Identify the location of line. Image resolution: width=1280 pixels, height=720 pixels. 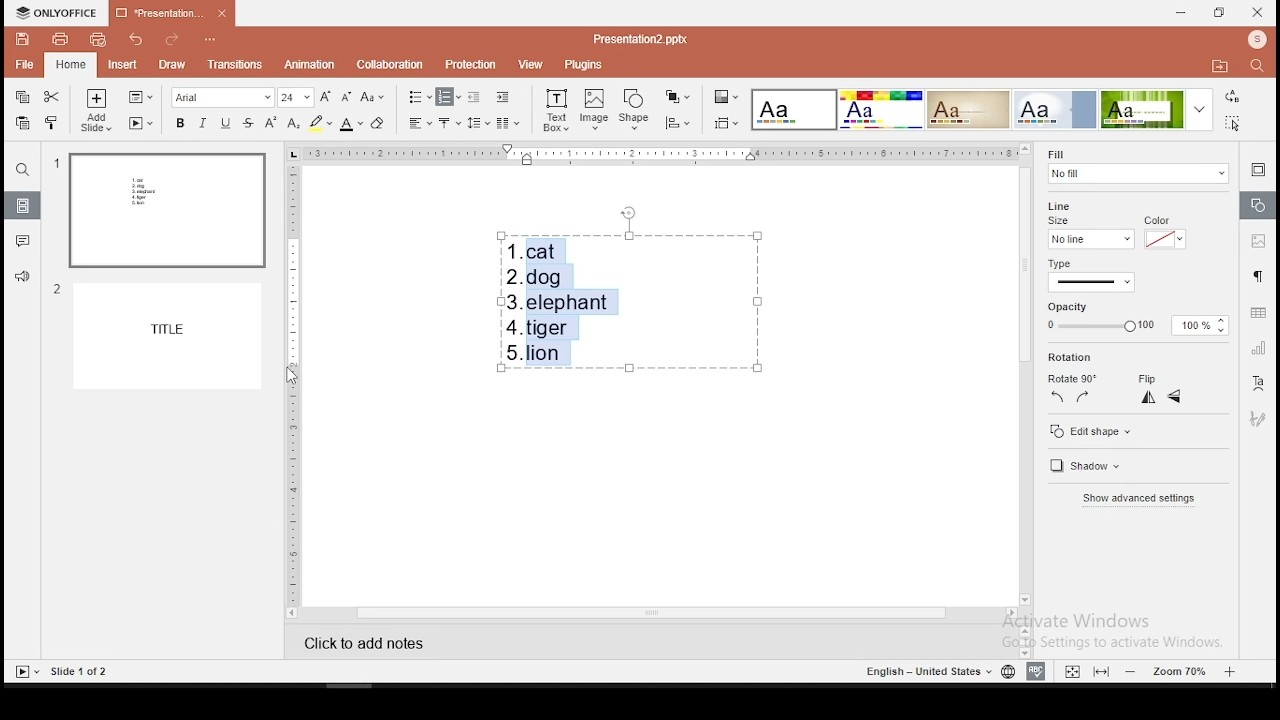
(1068, 201).